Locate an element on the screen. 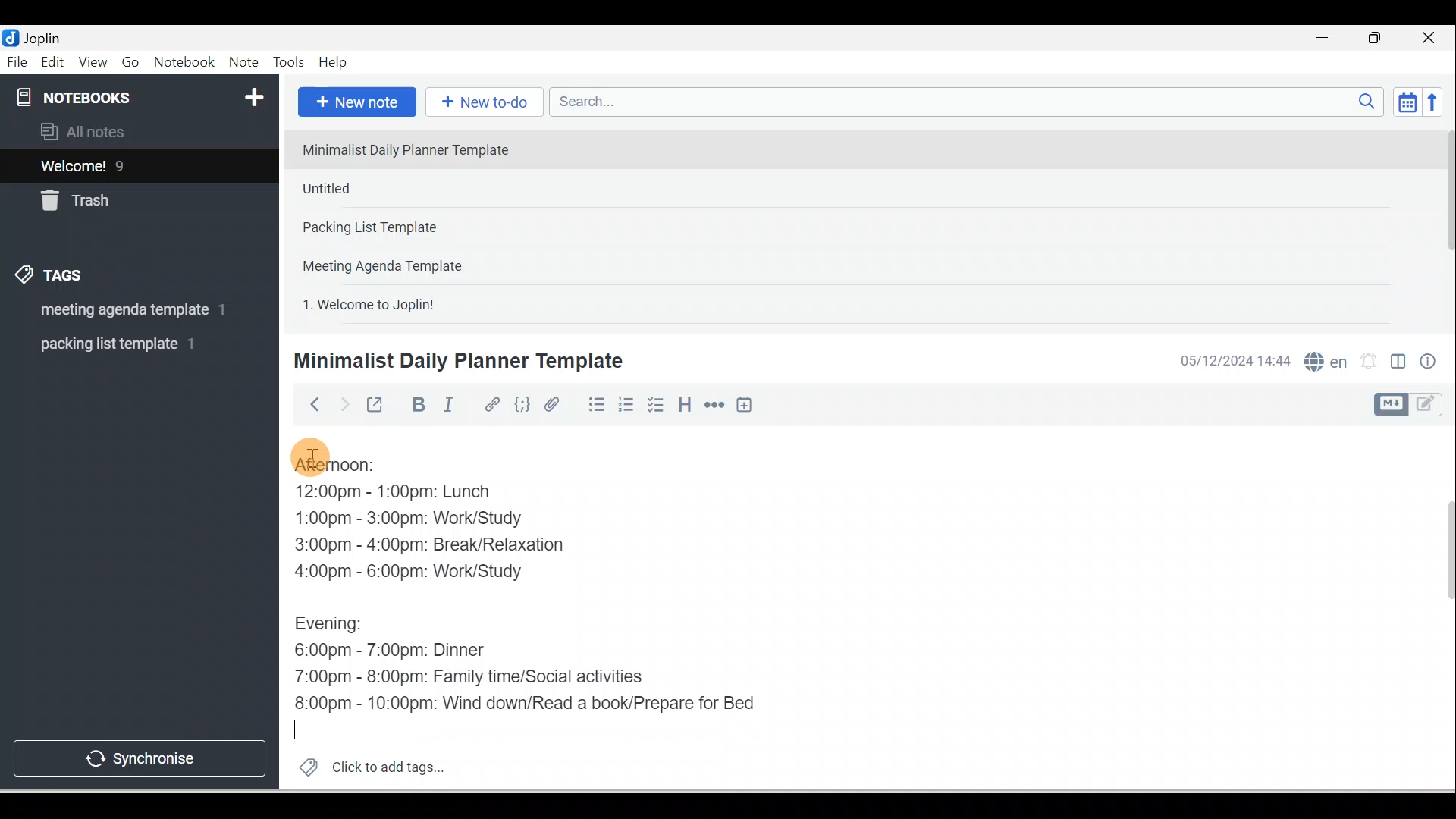 The width and height of the screenshot is (1456, 819). Back is located at coordinates (308, 404).